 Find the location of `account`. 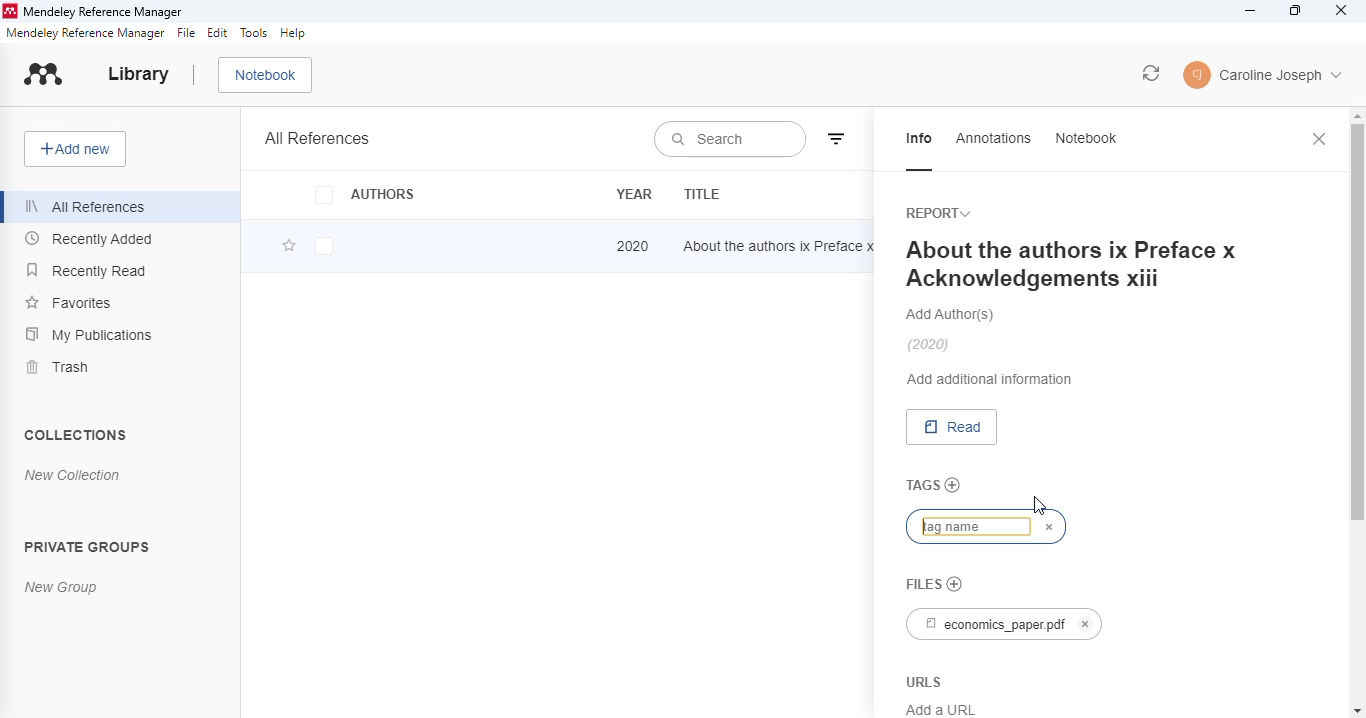

account is located at coordinates (1262, 74).